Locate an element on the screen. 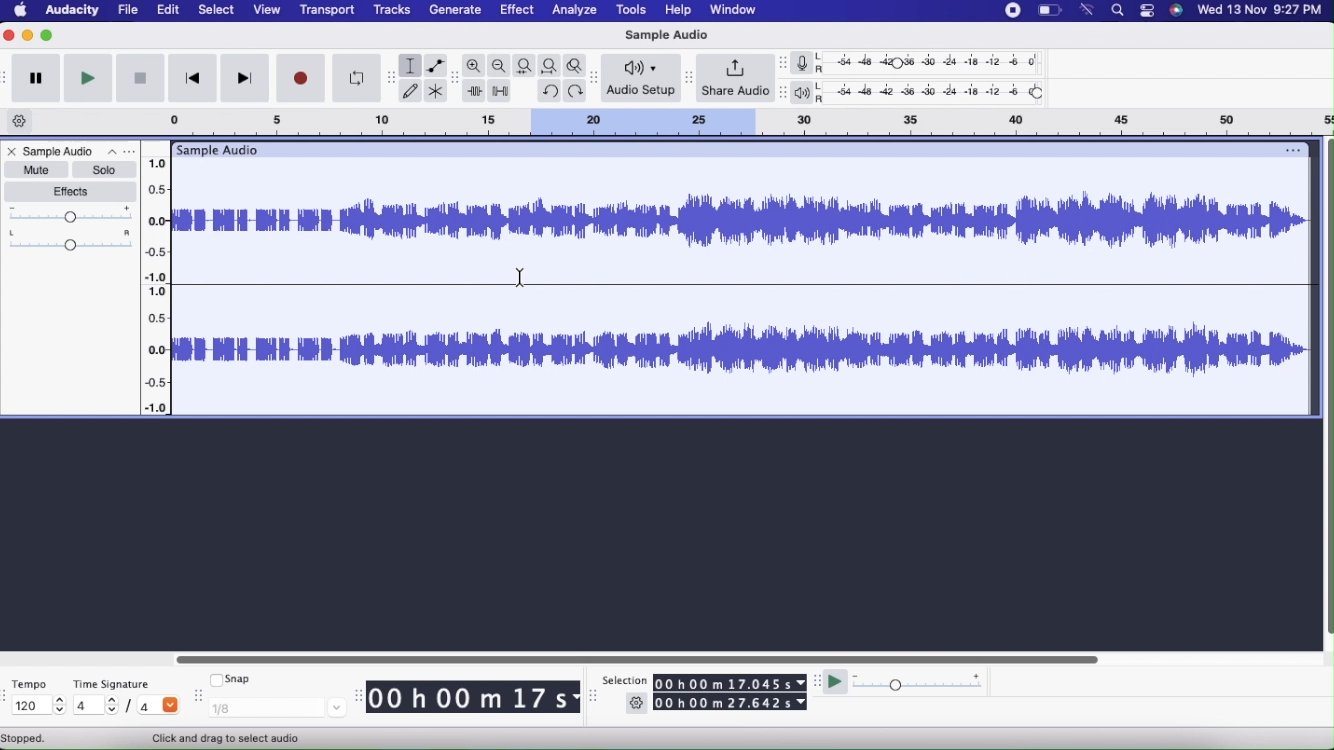 The width and height of the screenshot is (1334, 750). 4 is located at coordinates (159, 704).